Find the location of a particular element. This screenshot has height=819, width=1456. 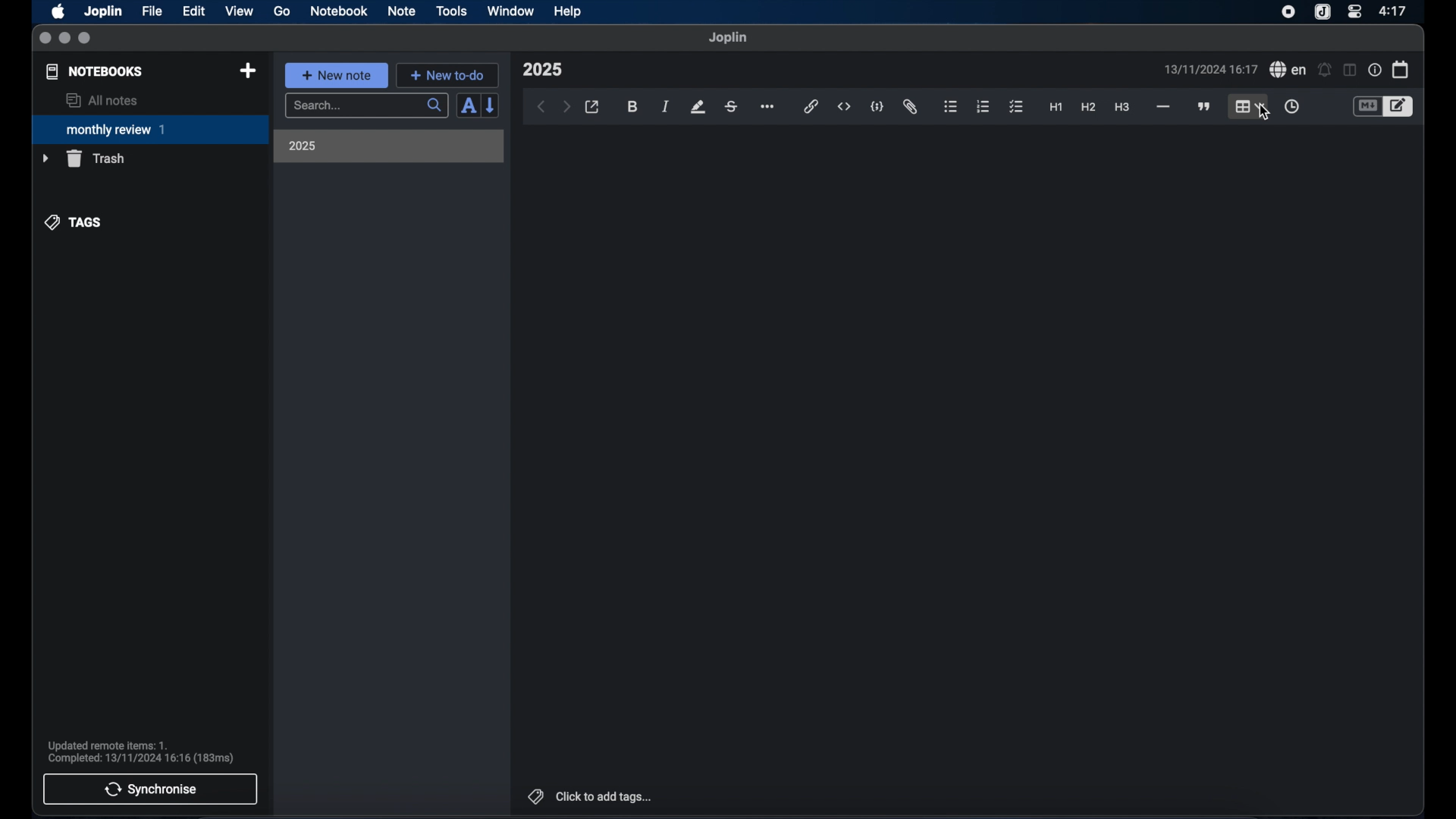

screen recorder icon is located at coordinates (1288, 12).